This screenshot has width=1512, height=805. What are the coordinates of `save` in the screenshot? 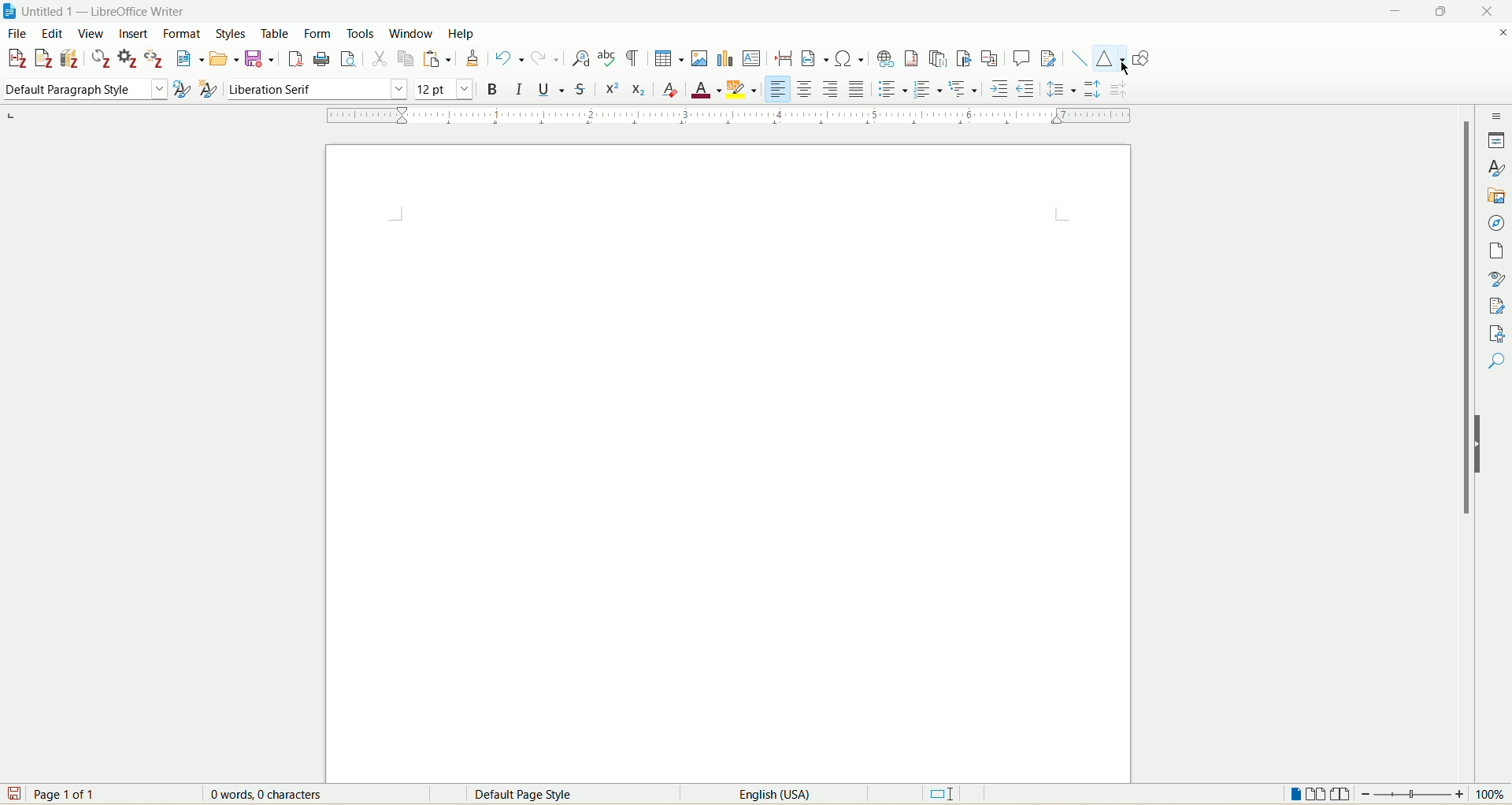 It's located at (13, 793).